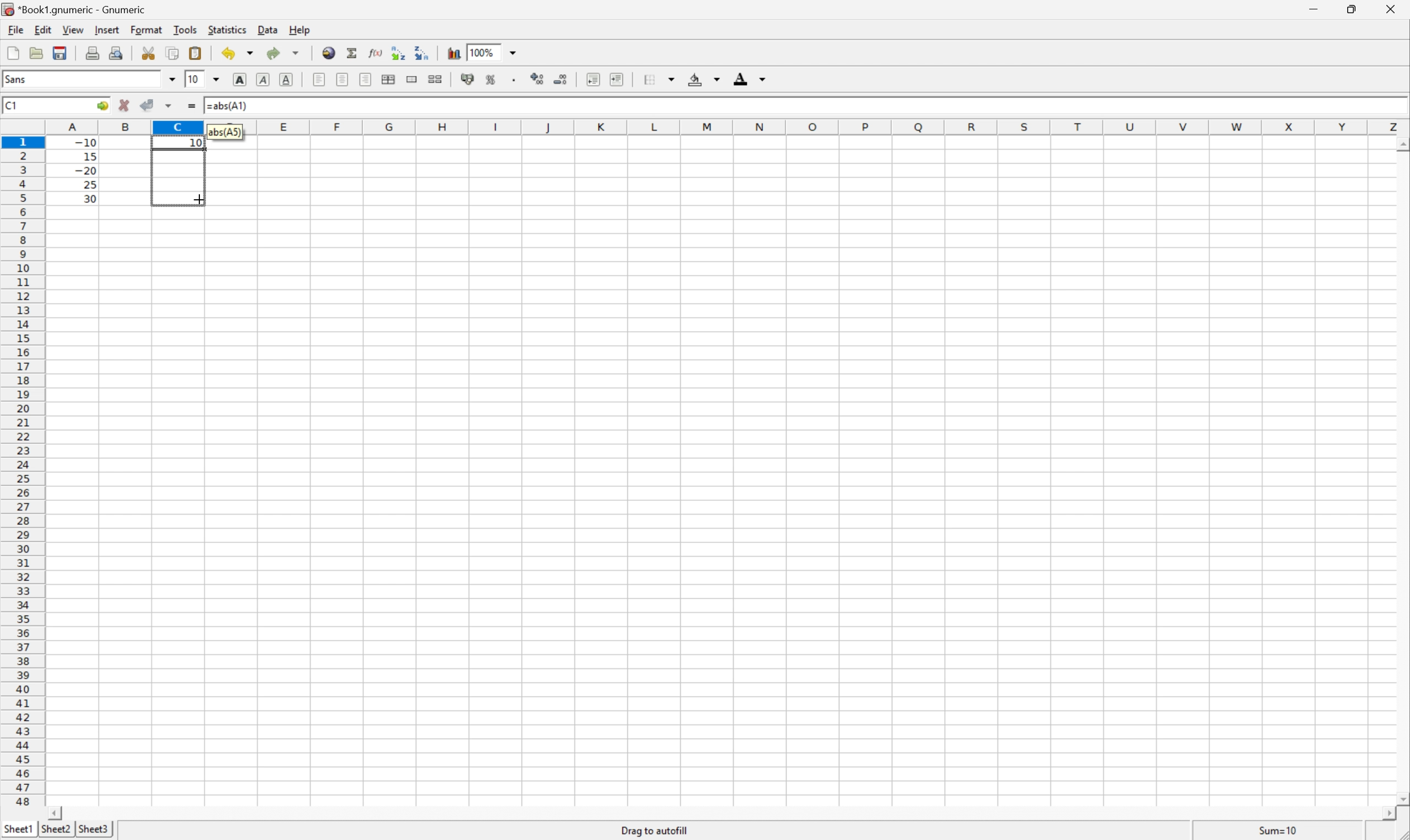 The width and height of the screenshot is (1410, 840). I want to click on Merge a range of cells, so click(413, 79).